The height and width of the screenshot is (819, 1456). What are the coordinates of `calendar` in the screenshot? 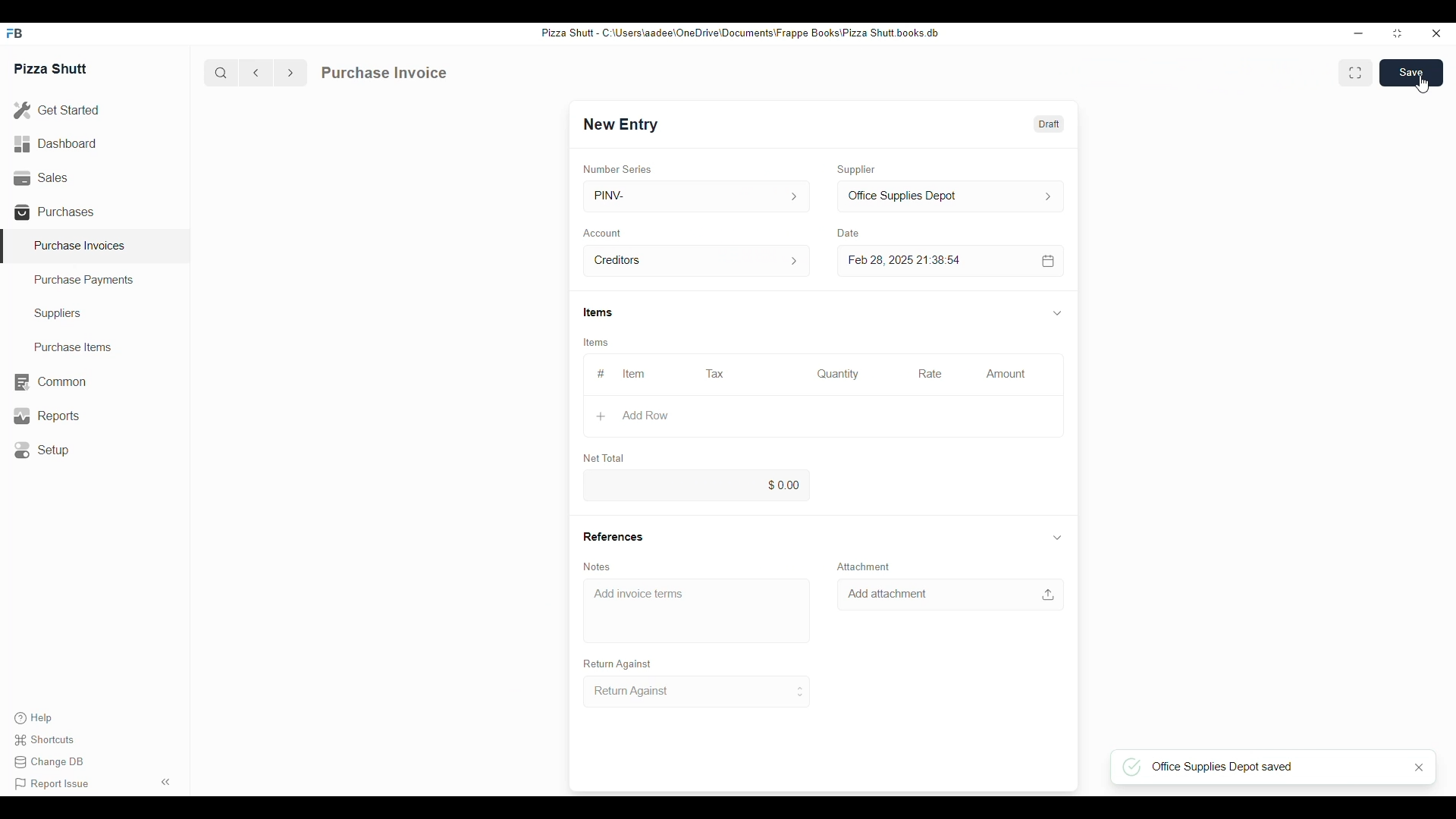 It's located at (1046, 260).